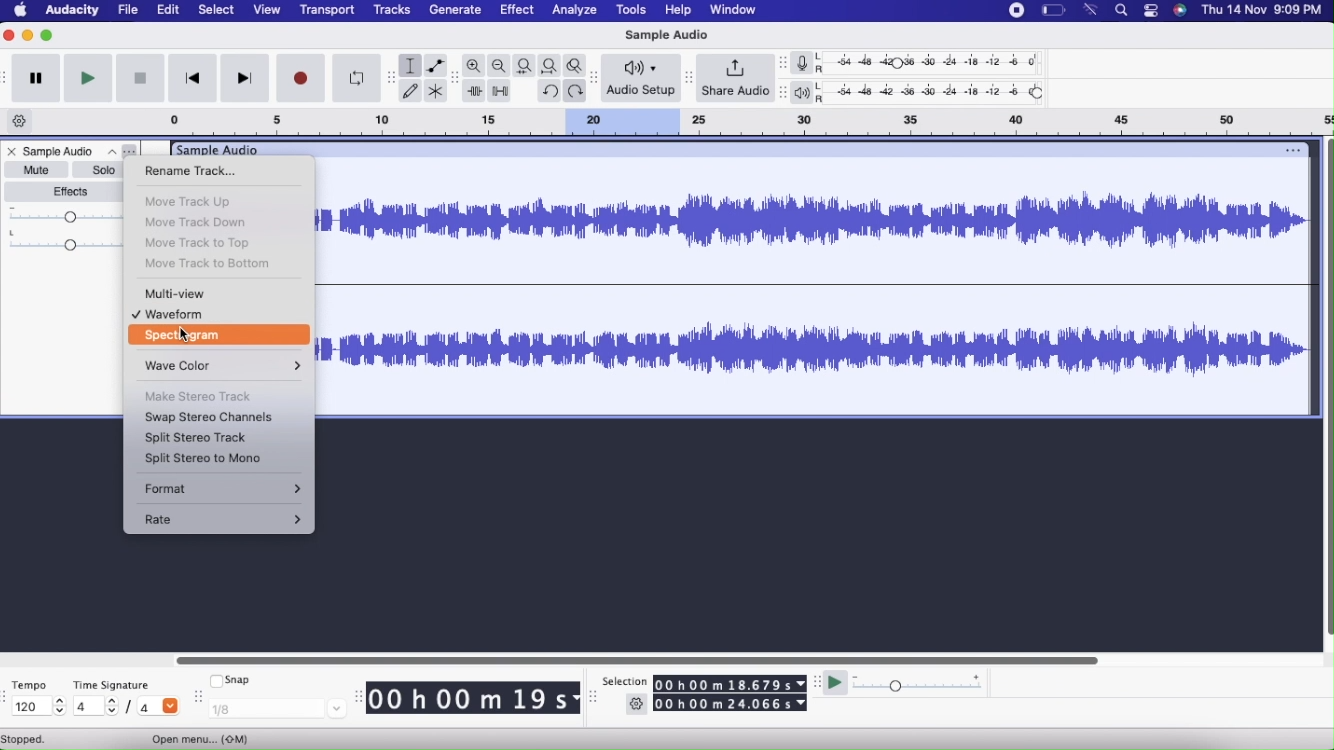 This screenshot has height=750, width=1334. Describe the element at coordinates (197, 222) in the screenshot. I see `Move Track Down` at that location.